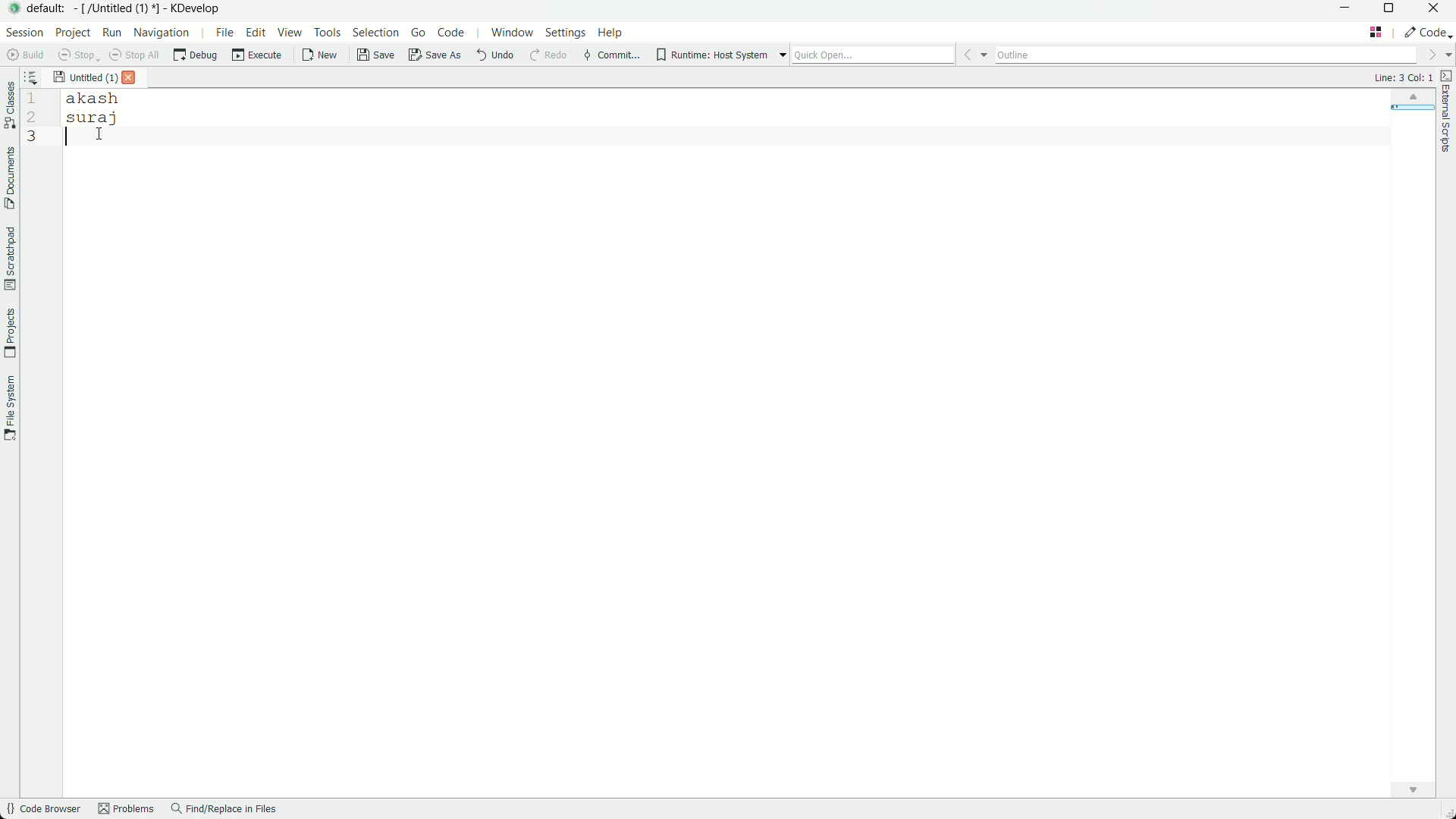  Describe the element at coordinates (75, 54) in the screenshot. I see `stop` at that location.